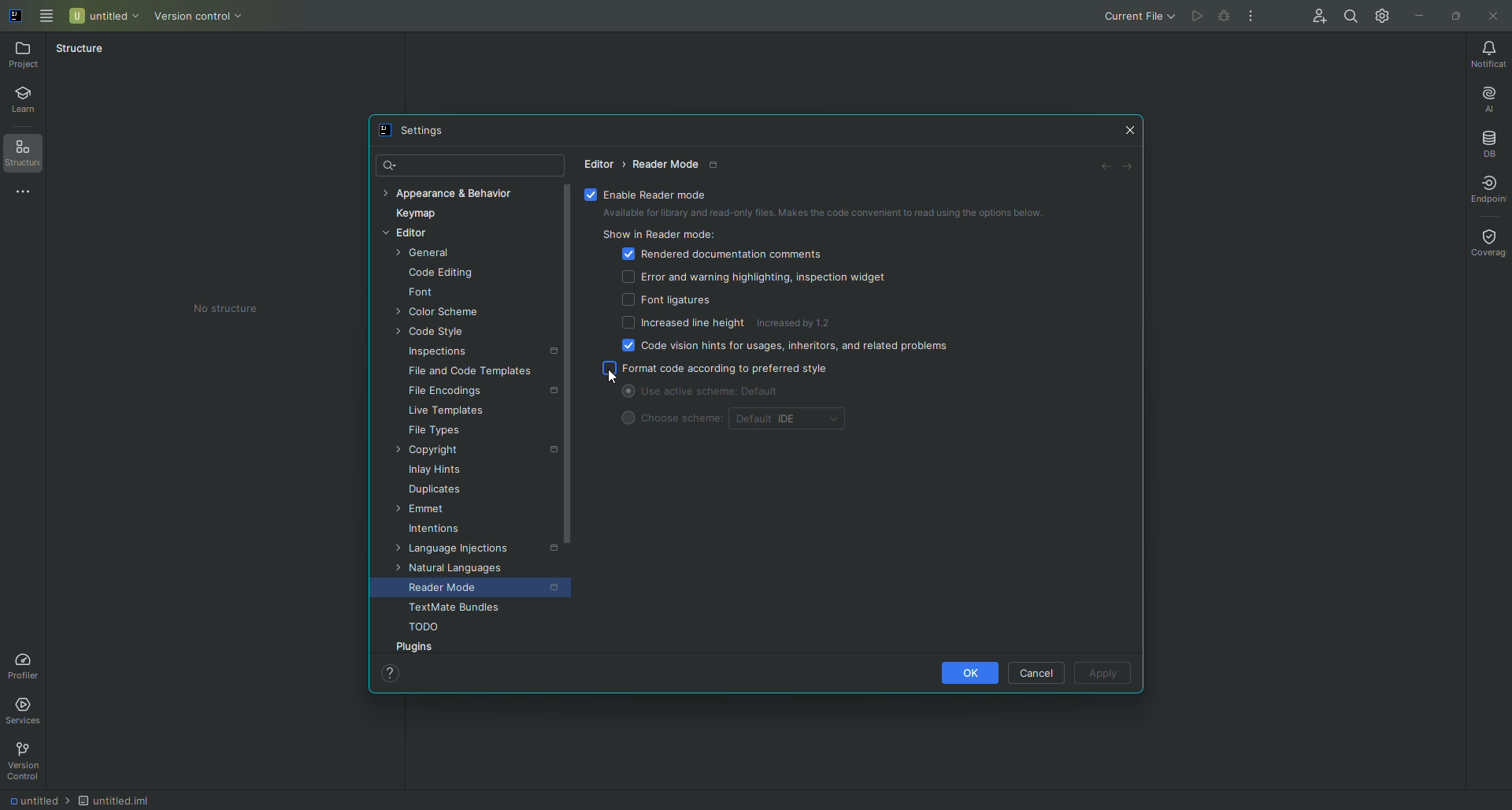 This screenshot has width=1512, height=810. Describe the element at coordinates (479, 392) in the screenshot. I see `File encodings` at that location.